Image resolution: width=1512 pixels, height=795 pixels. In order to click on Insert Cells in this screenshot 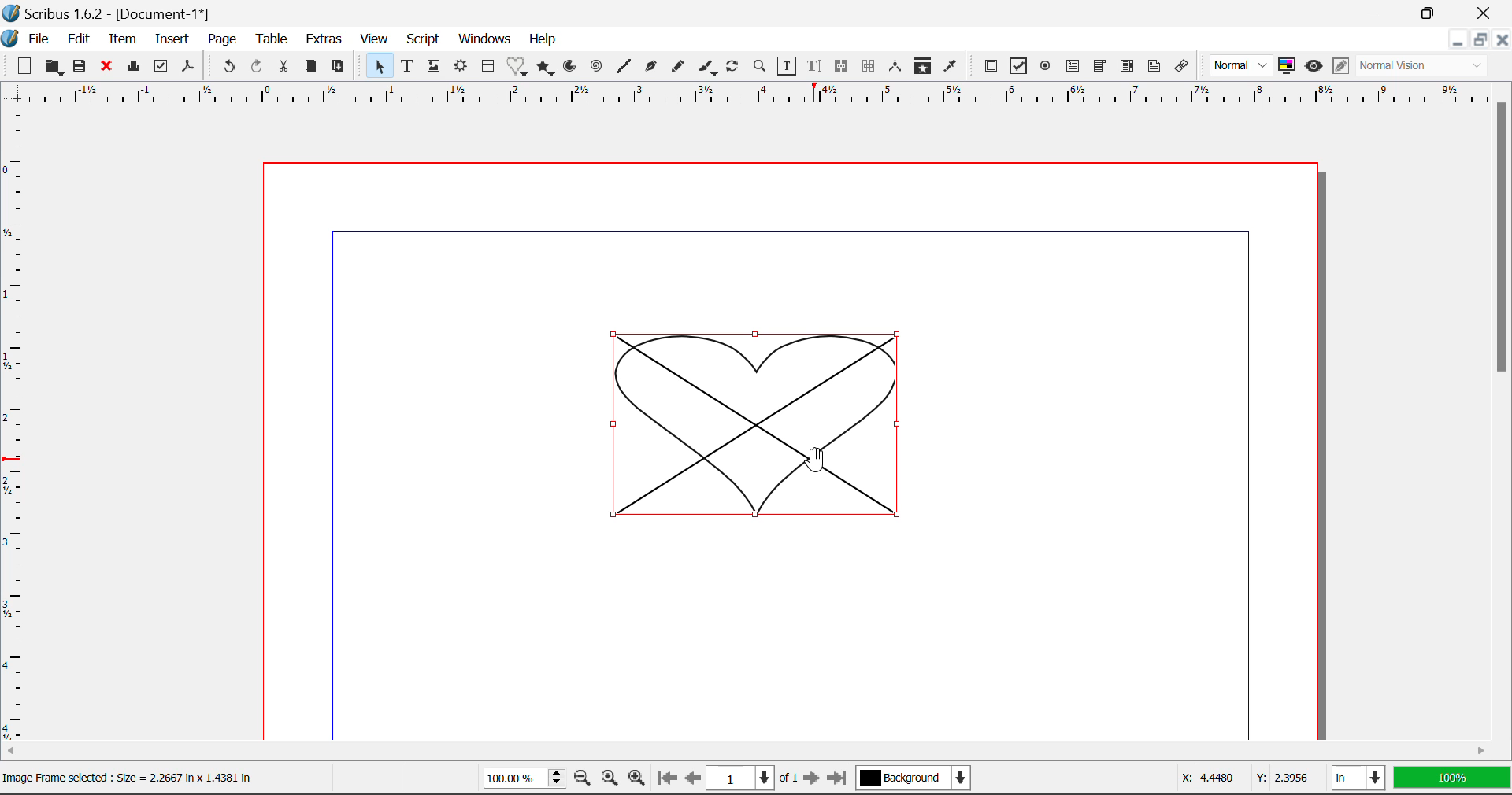, I will do `click(487, 68)`.